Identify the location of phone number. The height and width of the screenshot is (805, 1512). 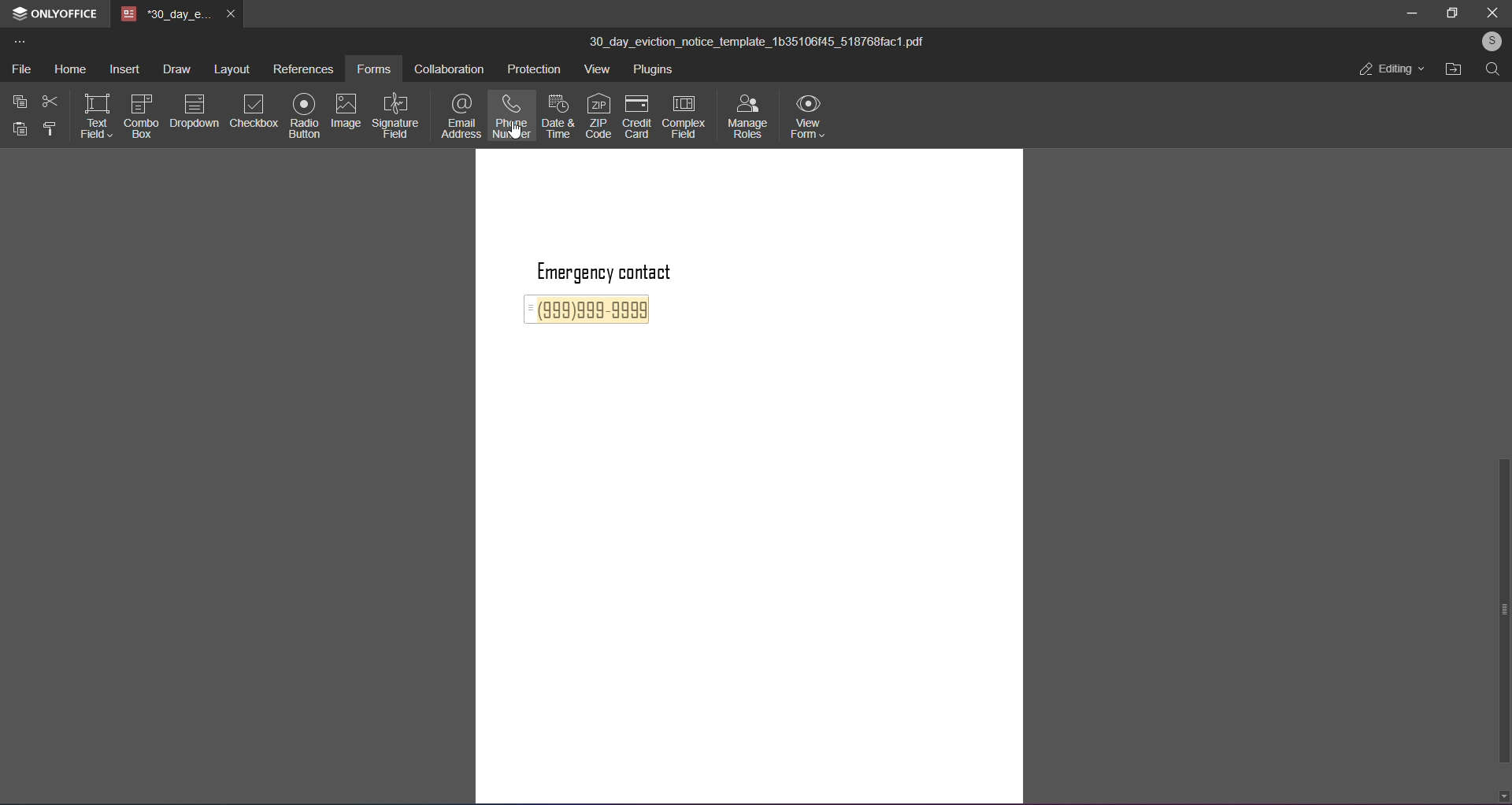
(513, 116).